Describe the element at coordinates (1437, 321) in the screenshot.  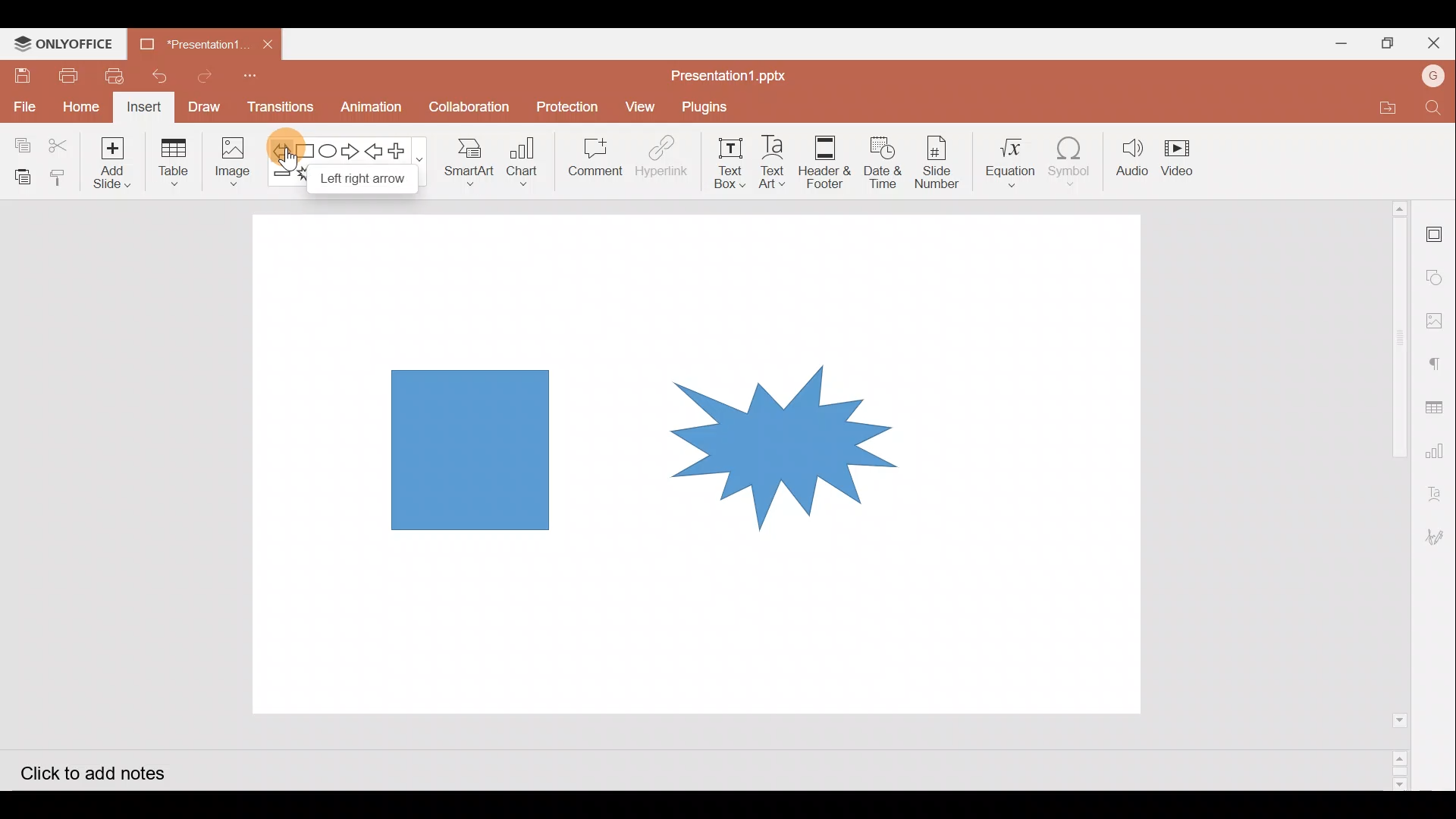
I see `Image settings` at that location.